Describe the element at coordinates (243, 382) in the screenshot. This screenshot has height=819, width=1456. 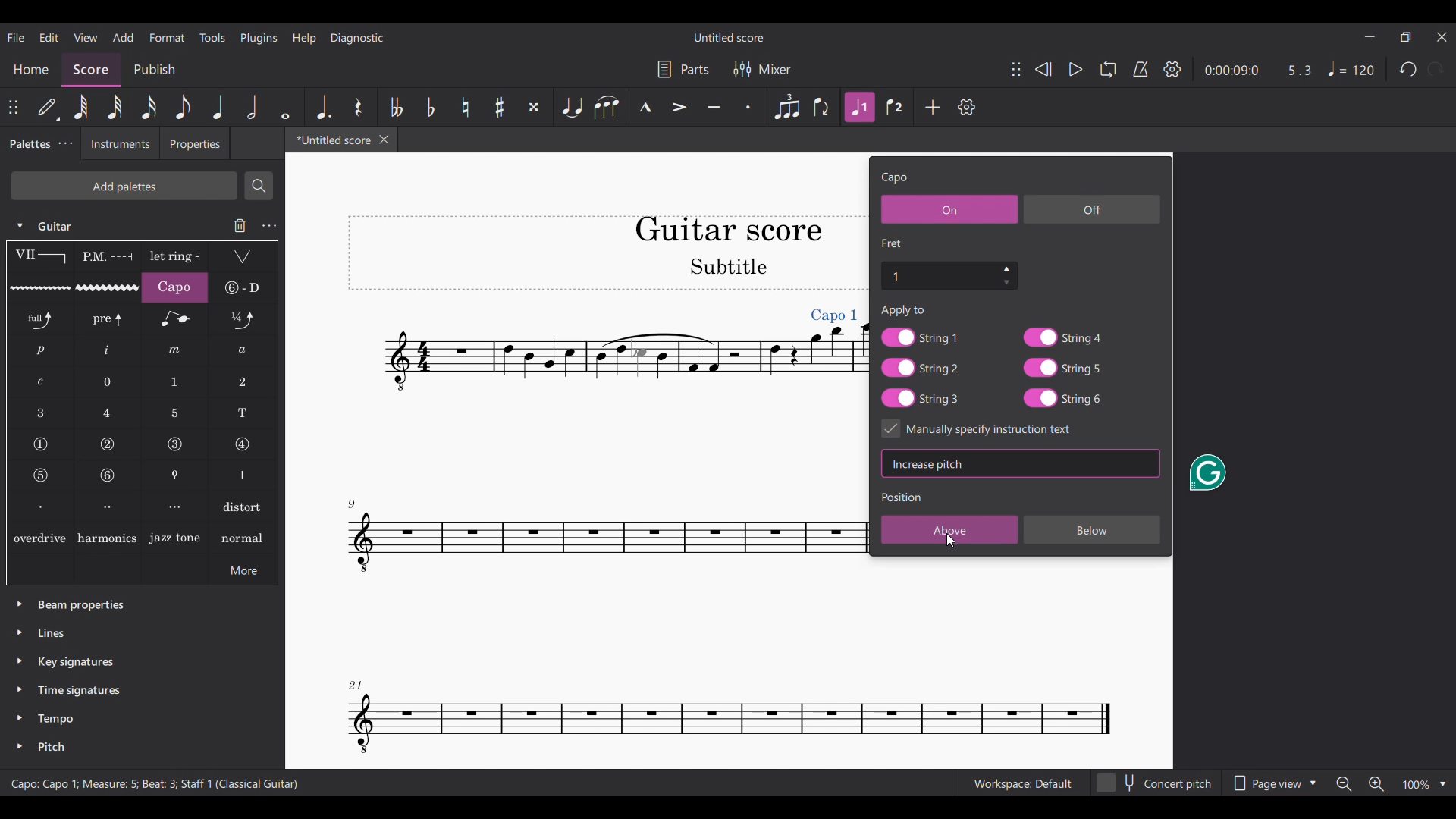
I see `LH guitar fingering 2` at that location.